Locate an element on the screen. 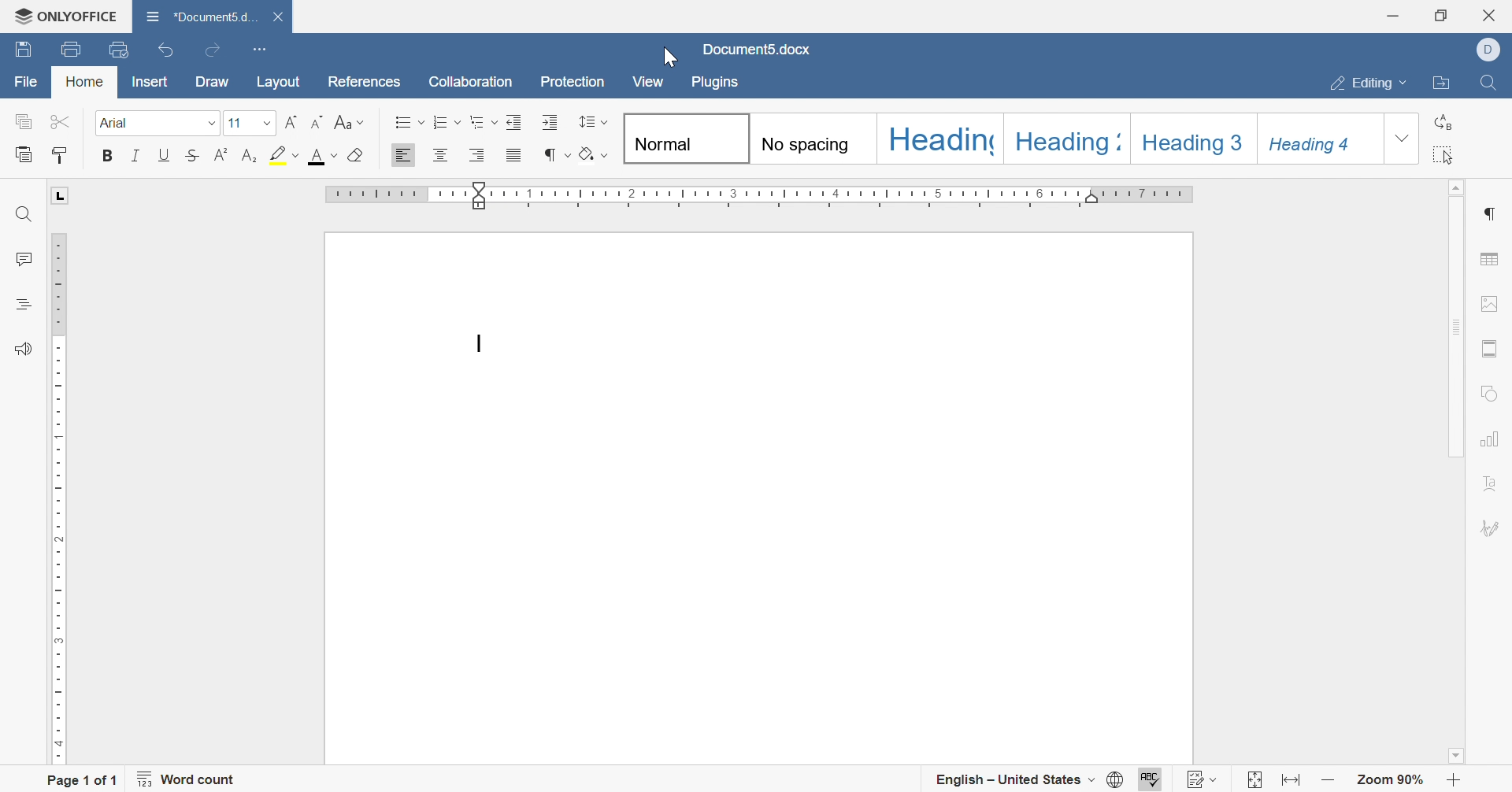 This screenshot has height=792, width=1512. shape settings is located at coordinates (1494, 392).